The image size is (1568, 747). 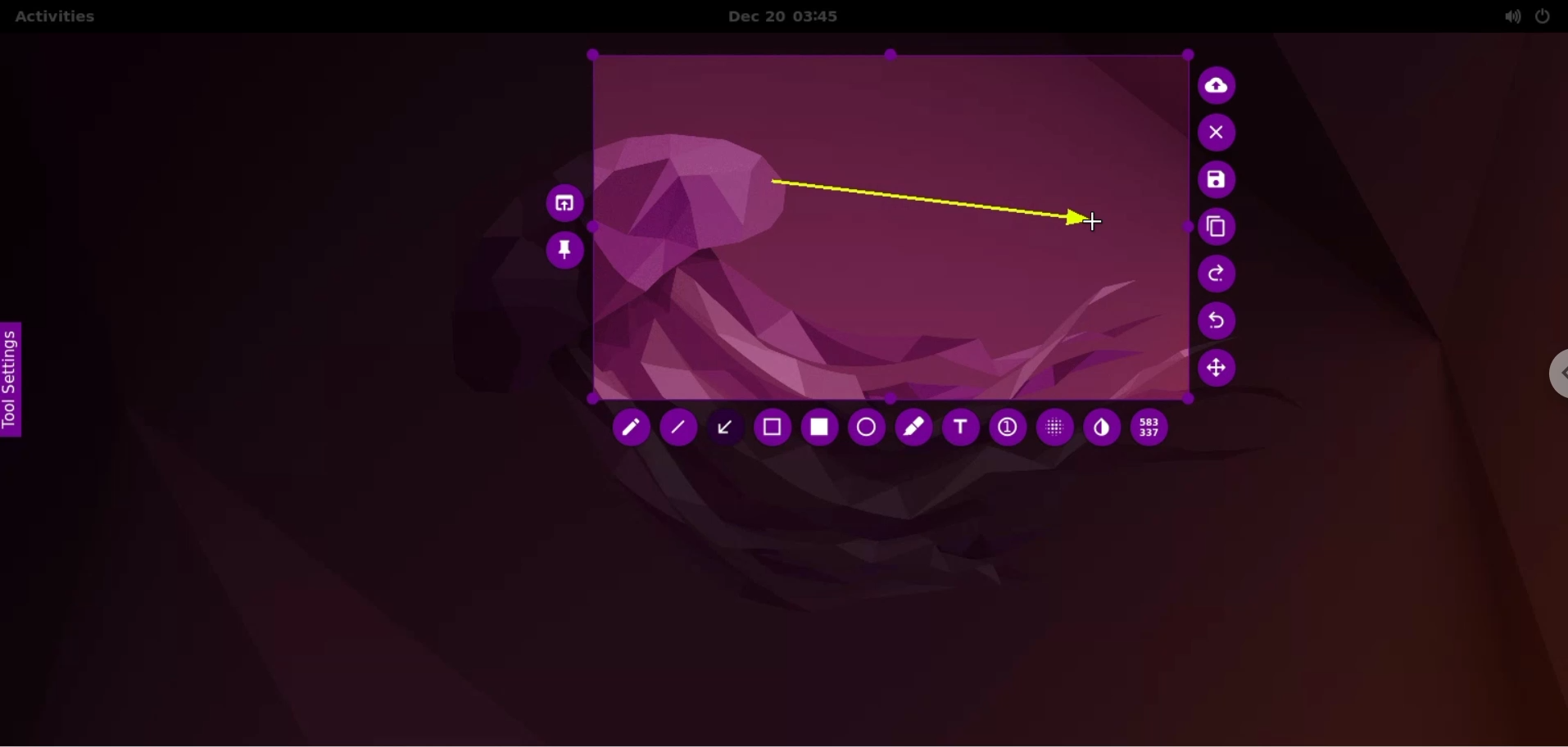 I want to click on arrow tool, so click(x=730, y=426).